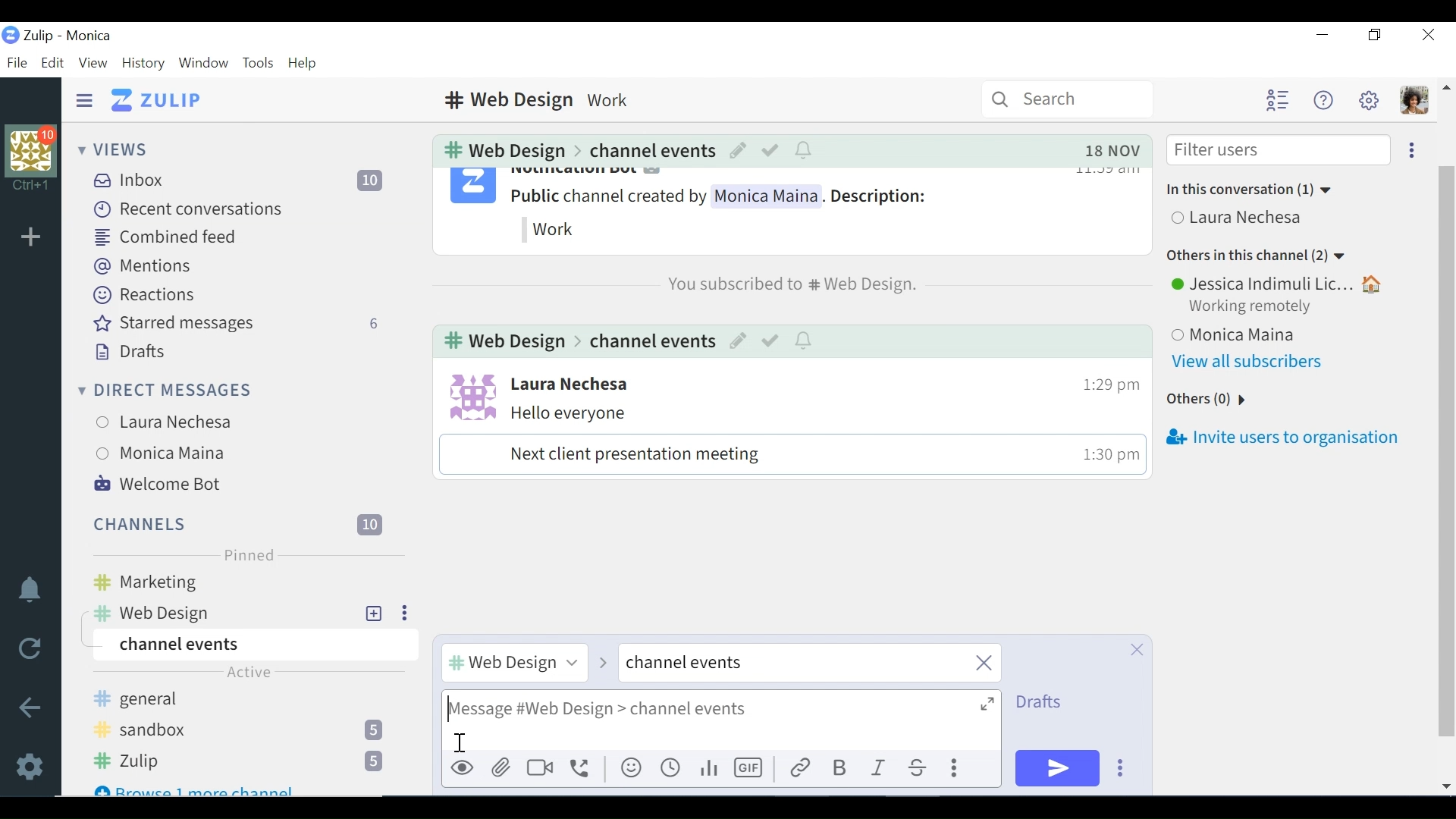 Image resolution: width=1456 pixels, height=819 pixels. What do you see at coordinates (880, 769) in the screenshot?
I see `Italics` at bounding box center [880, 769].